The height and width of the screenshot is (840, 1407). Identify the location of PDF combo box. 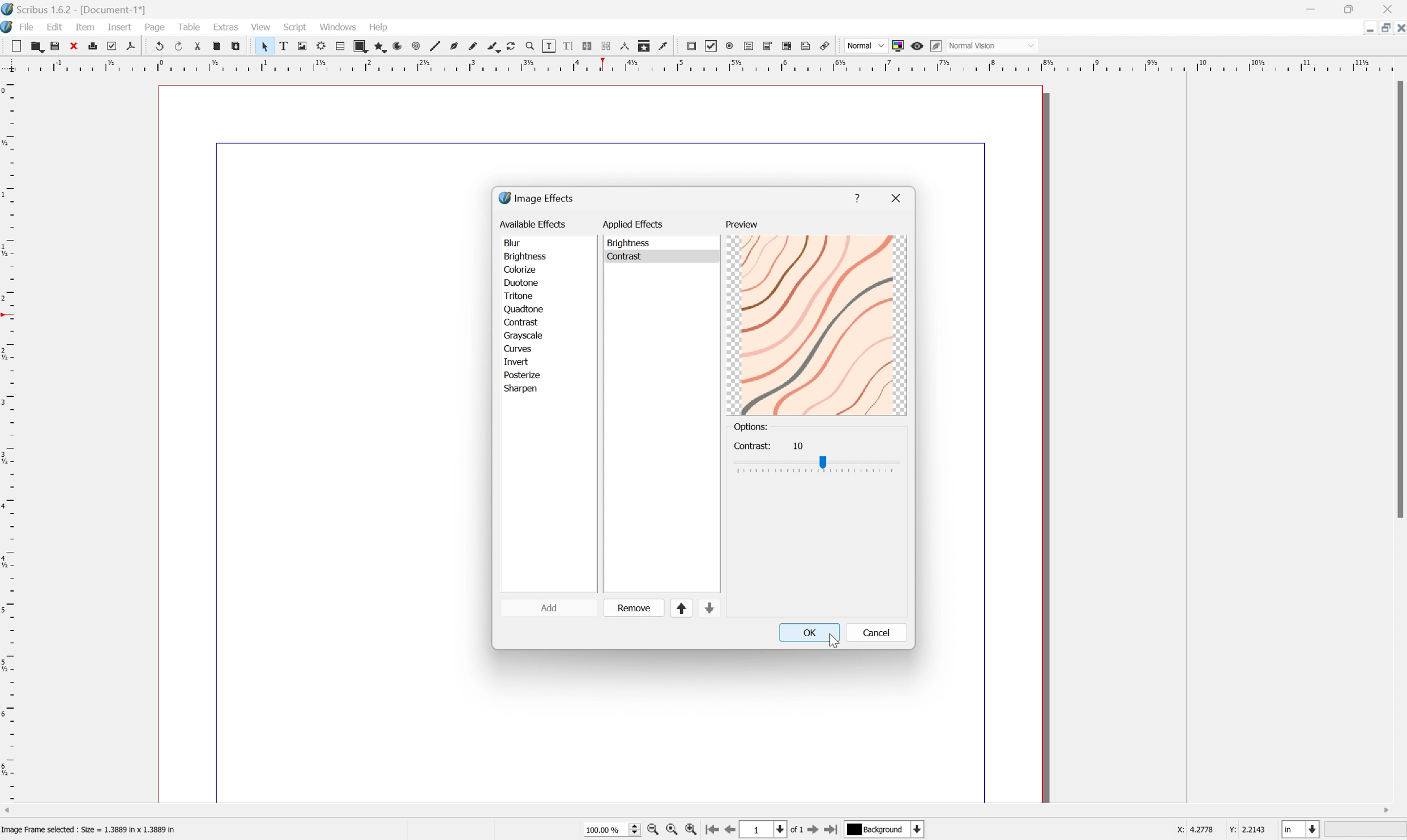
(769, 47).